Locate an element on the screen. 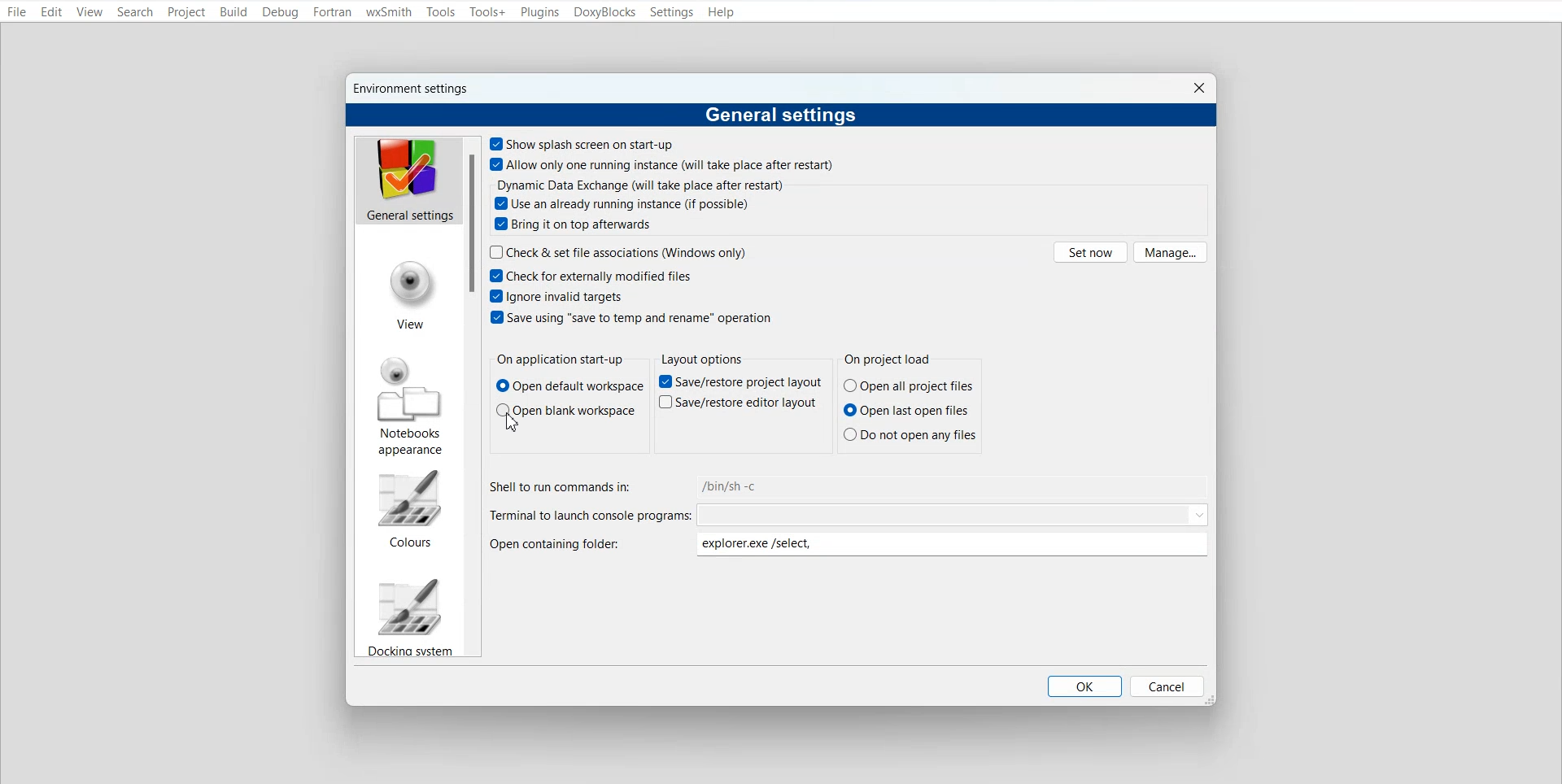 The height and width of the screenshot is (784, 1562). Fortran is located at coordinates (332, 12).